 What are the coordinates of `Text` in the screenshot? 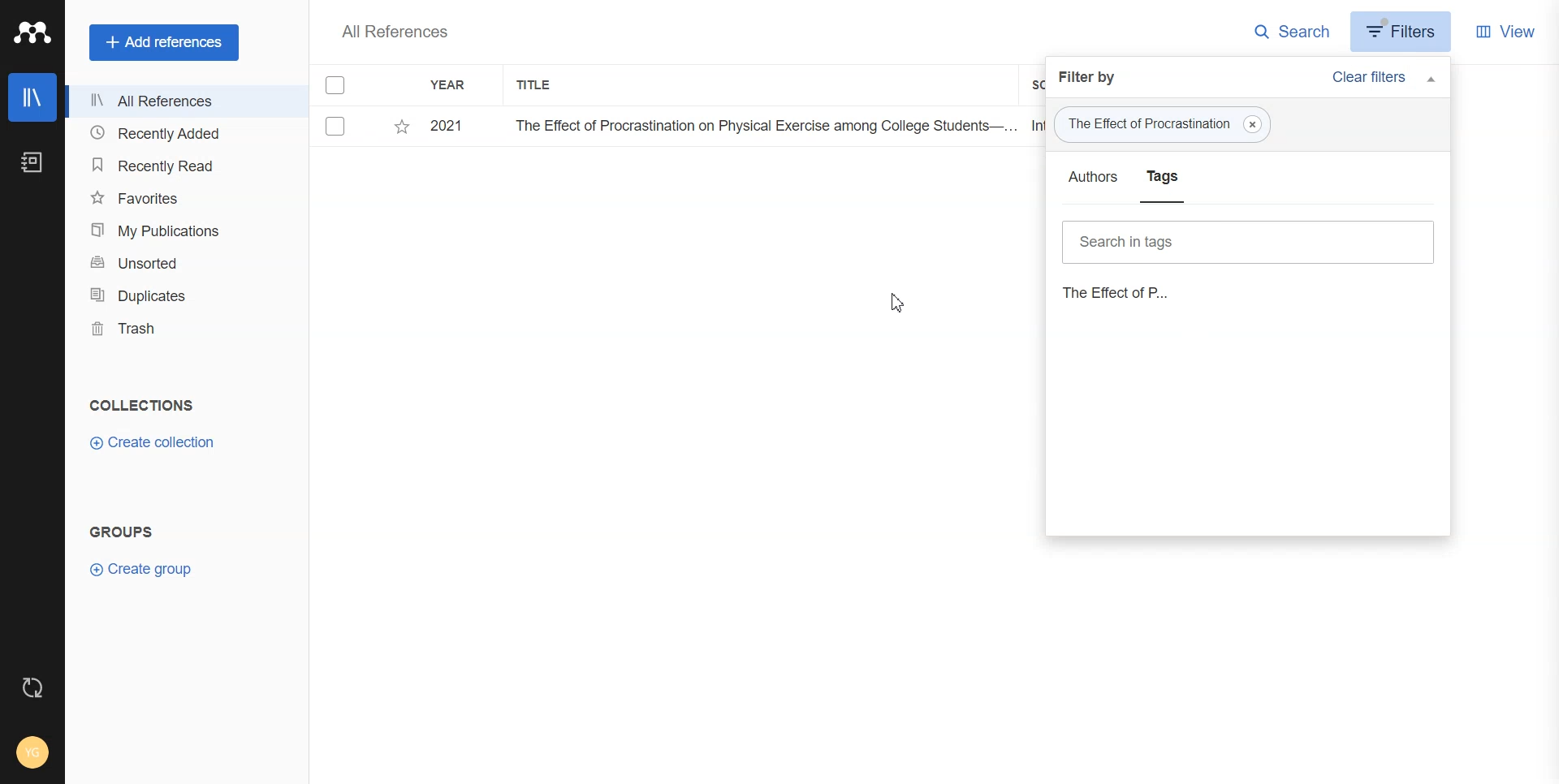 It's located at (1090, 77).